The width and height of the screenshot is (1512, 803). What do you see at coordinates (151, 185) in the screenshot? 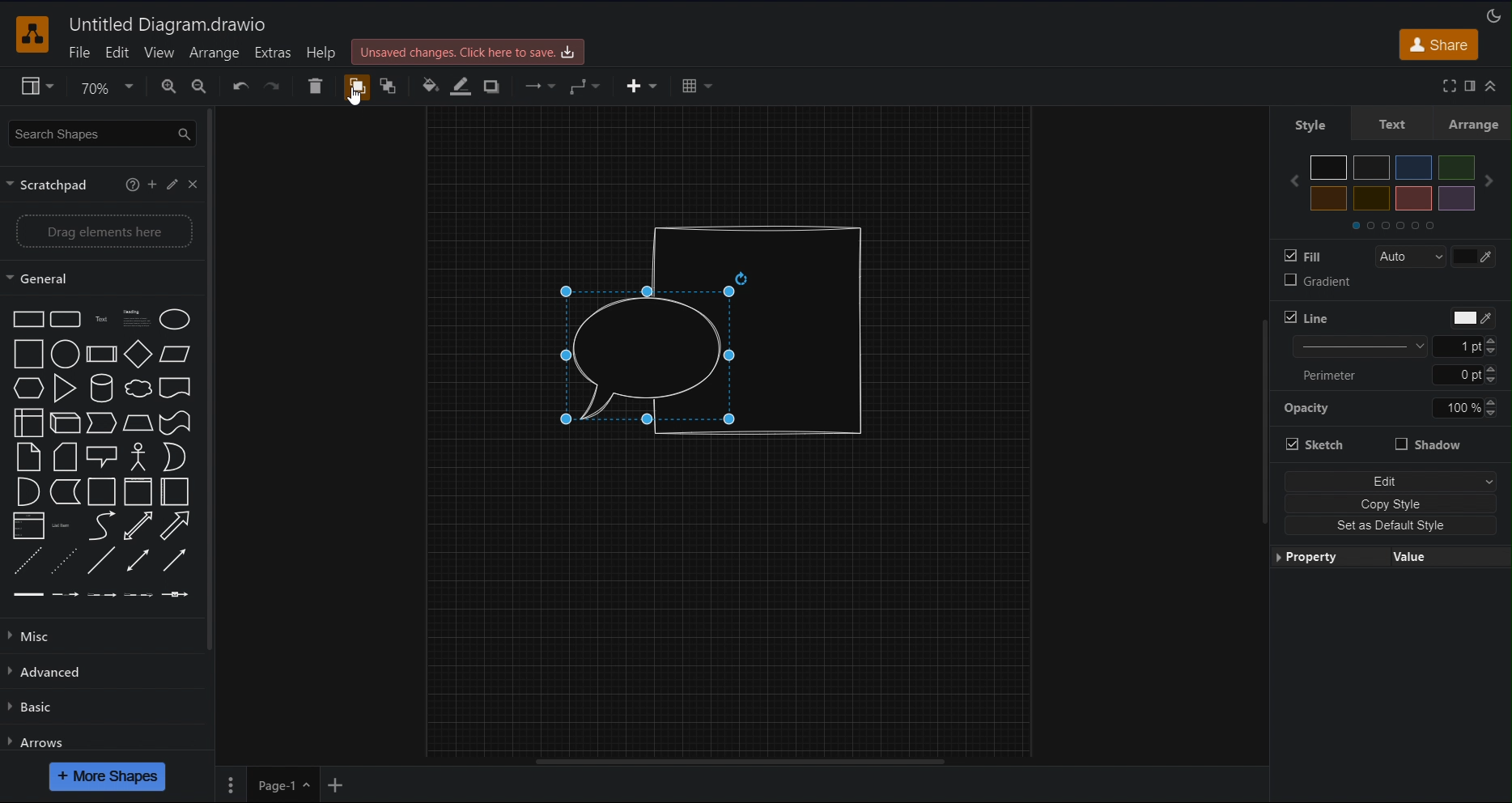
I see `Add` at bounding box center [151, 185].